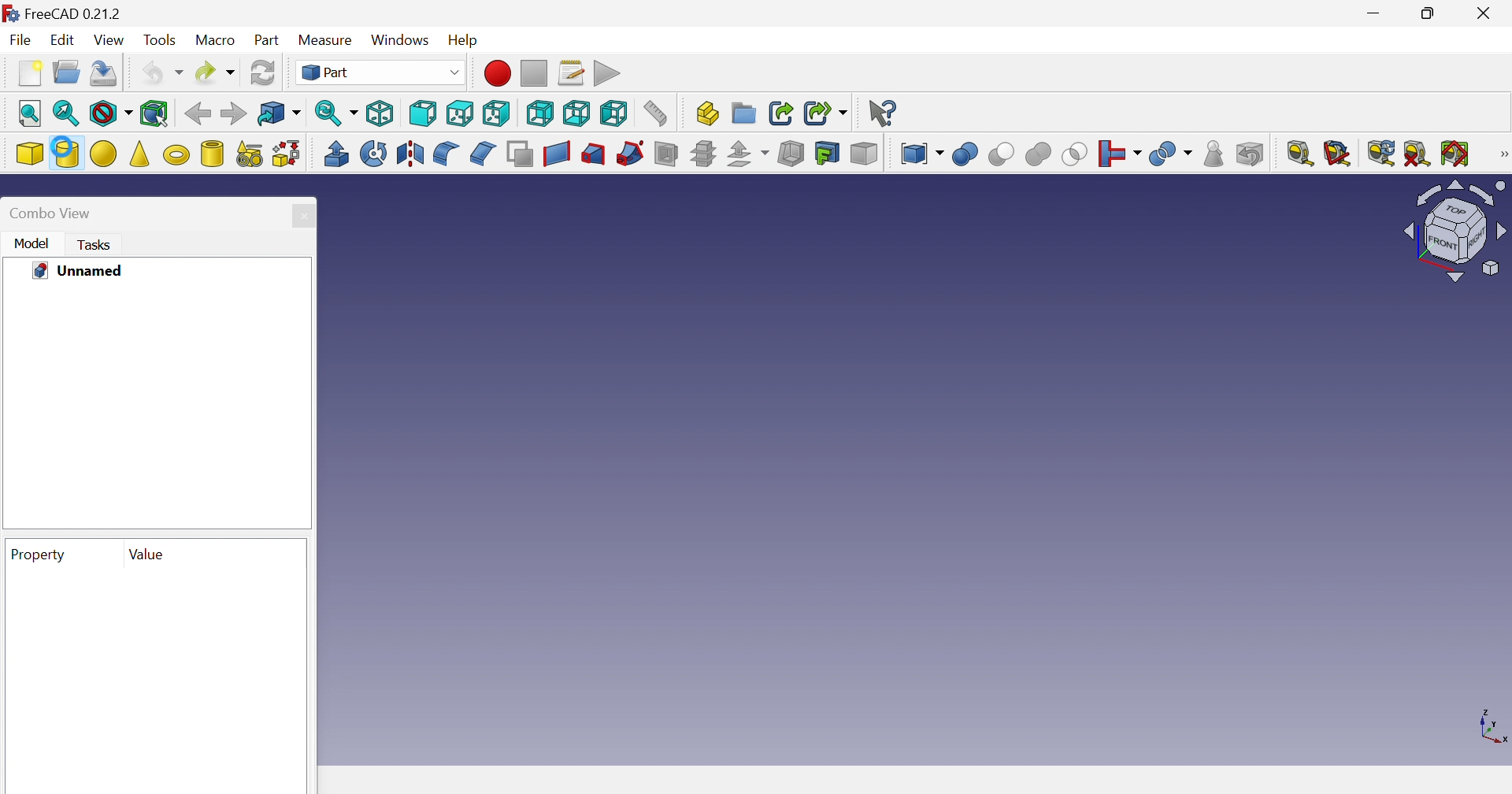 The width and height of the screenshot is (1512, 794). What do you see at coordinates (335, 154) in the screenshot?
I see `Extrude` at bounding box center [335, 154].